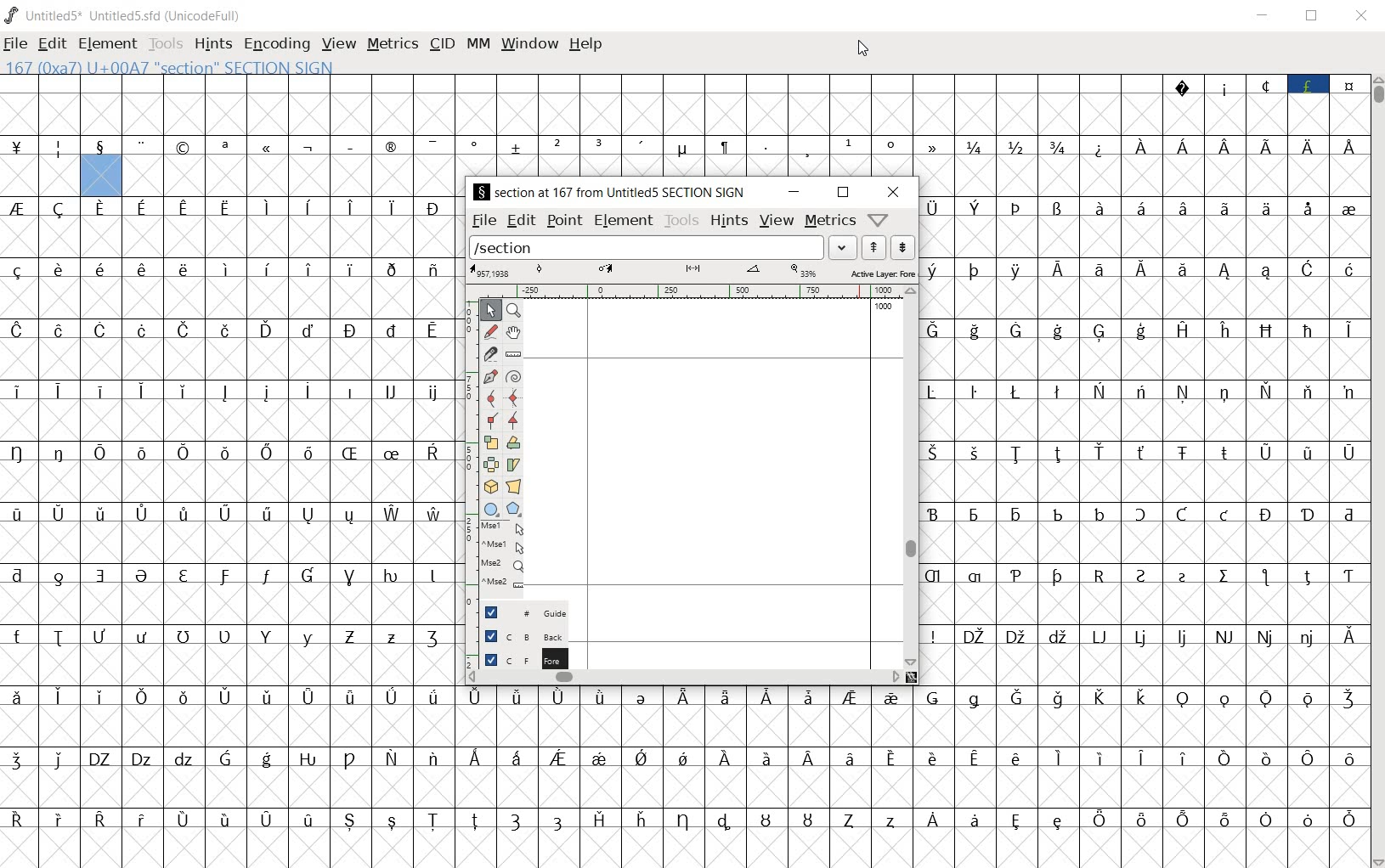 Image resolution: width=1385 pixels, height=868 pixels. I want to click on Rotate the selection, so click(515, 442).